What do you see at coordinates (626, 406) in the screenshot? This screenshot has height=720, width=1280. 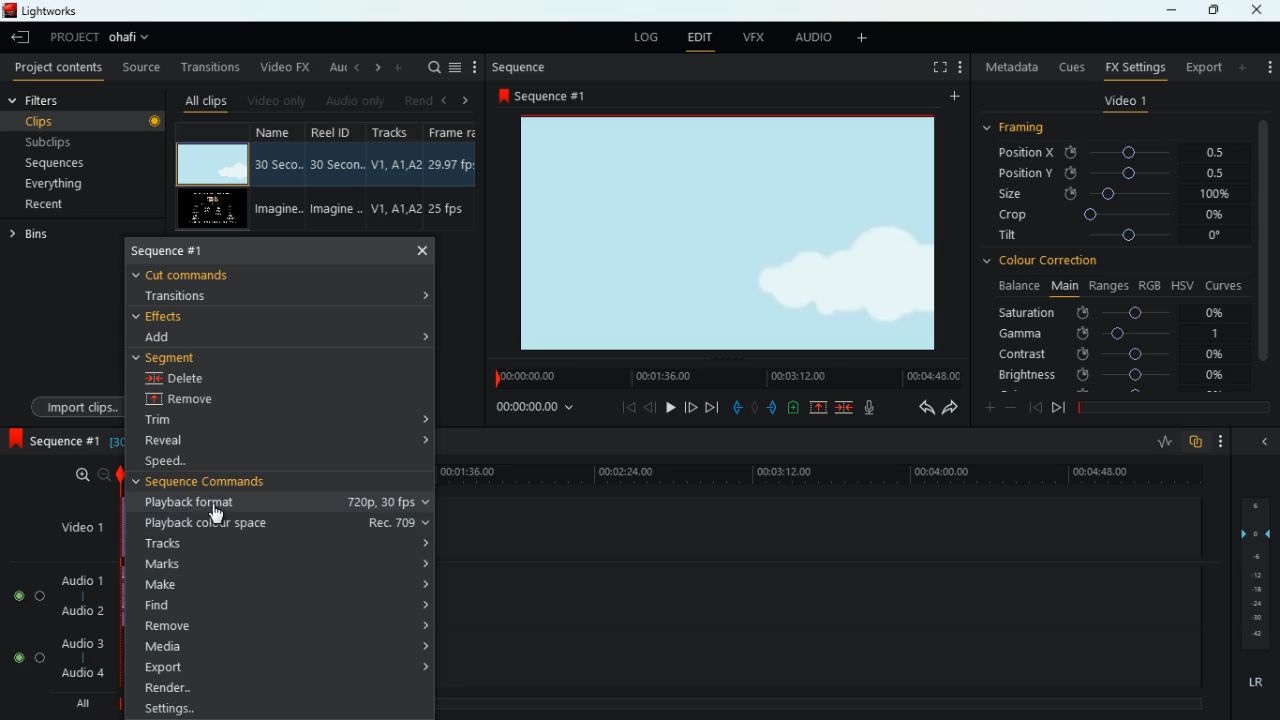 I see `beggining` at bounding box center [626, 406].